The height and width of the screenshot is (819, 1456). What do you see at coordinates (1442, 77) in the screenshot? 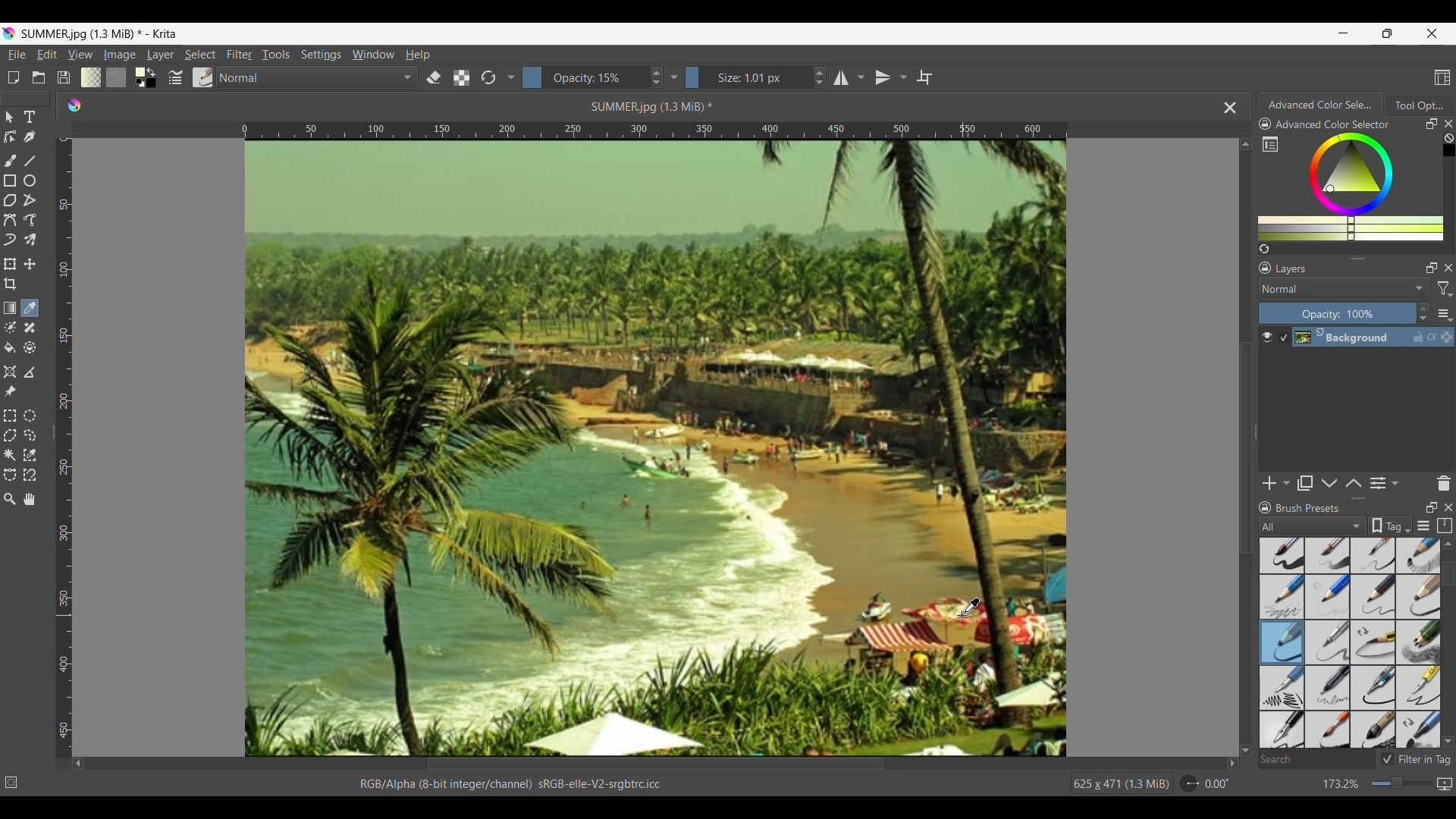
I see `Choose workspace` at bounding box center [1442, 77].